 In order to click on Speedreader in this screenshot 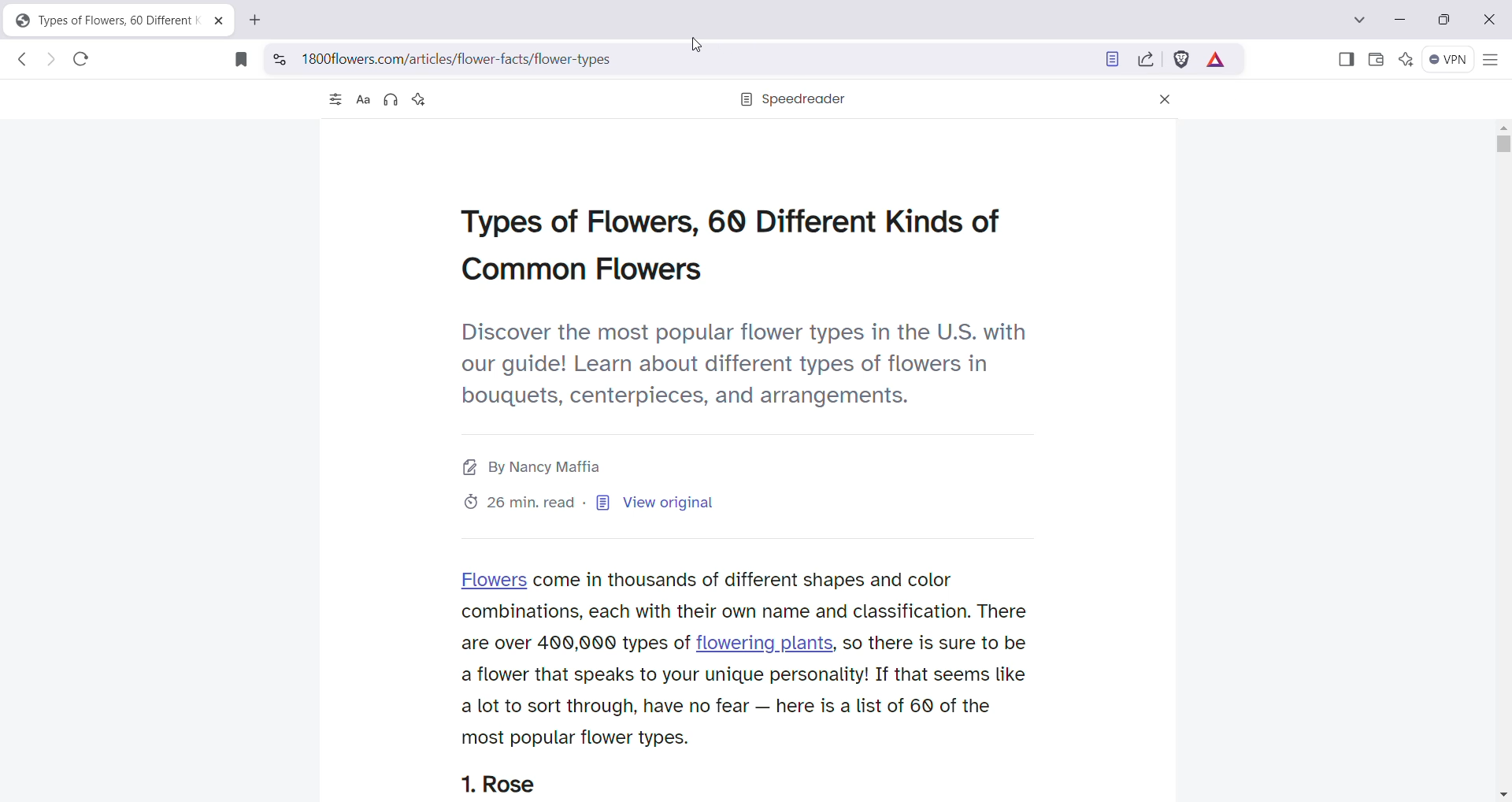, I will do `click(793, 100)`.